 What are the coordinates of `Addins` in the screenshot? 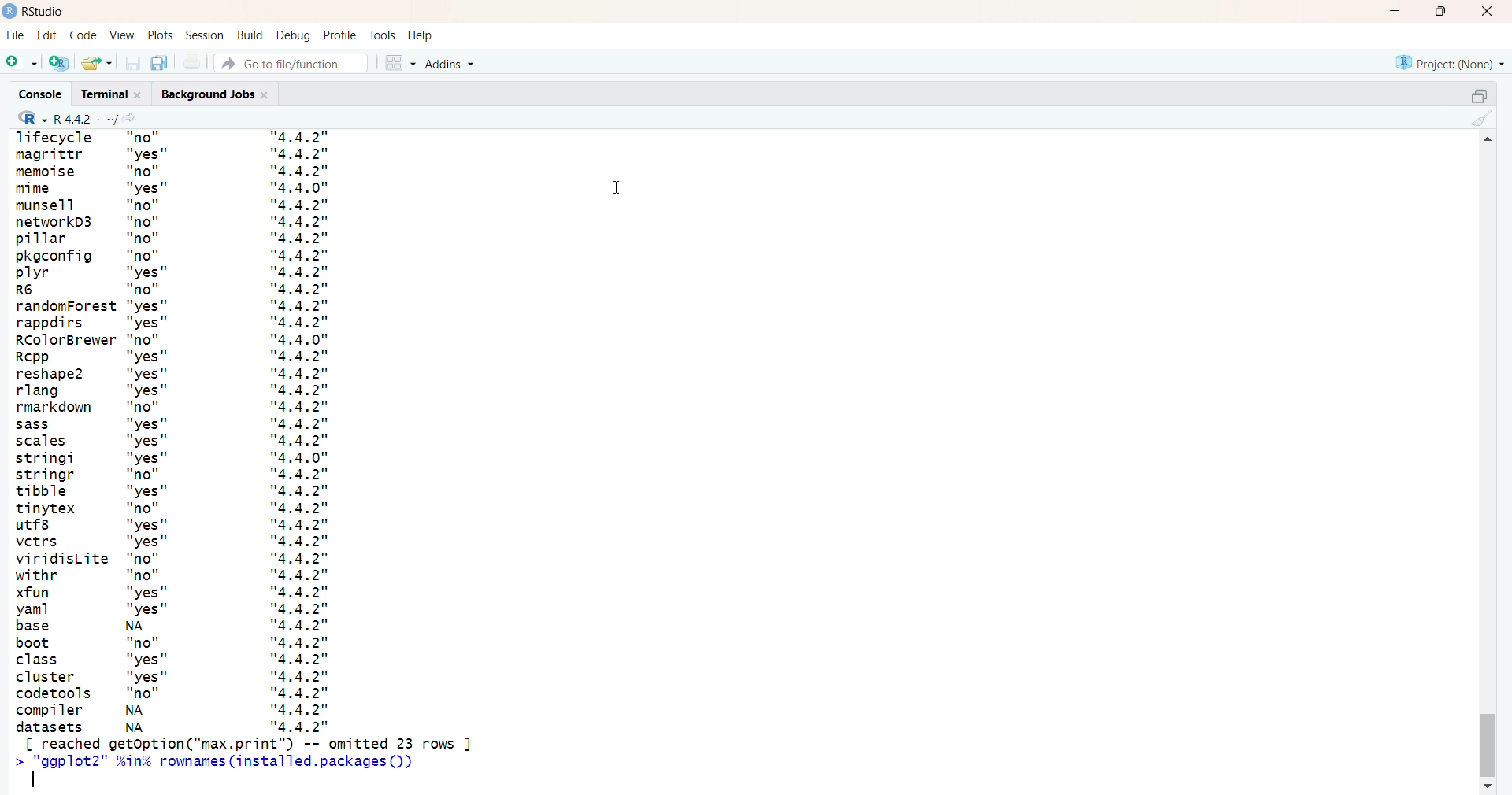 It's located at (453, 65).